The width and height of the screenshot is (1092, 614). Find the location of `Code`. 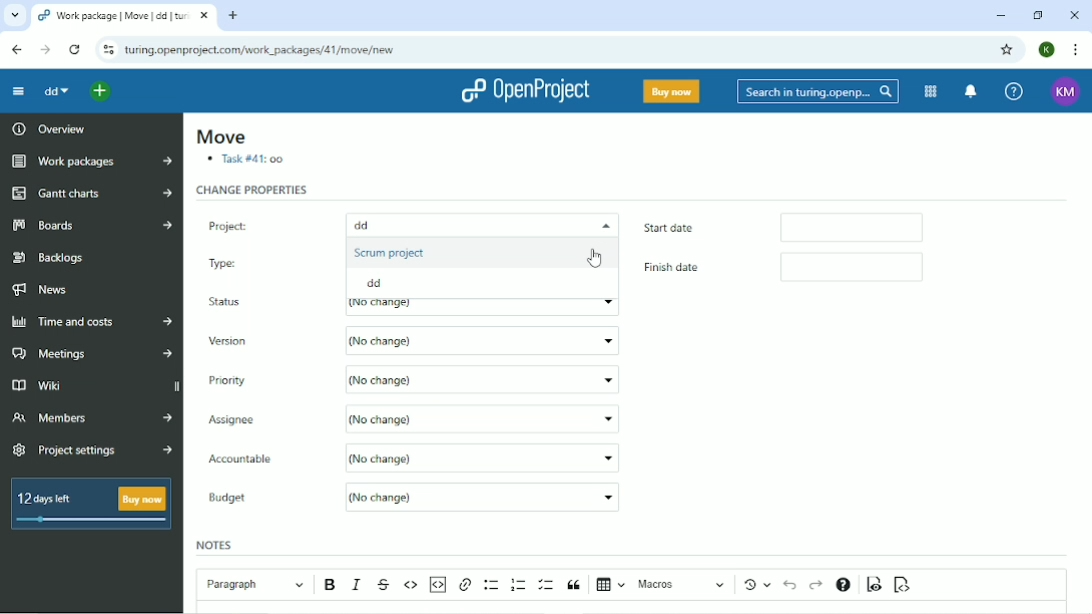

Code is located at coordinates (411, 584).